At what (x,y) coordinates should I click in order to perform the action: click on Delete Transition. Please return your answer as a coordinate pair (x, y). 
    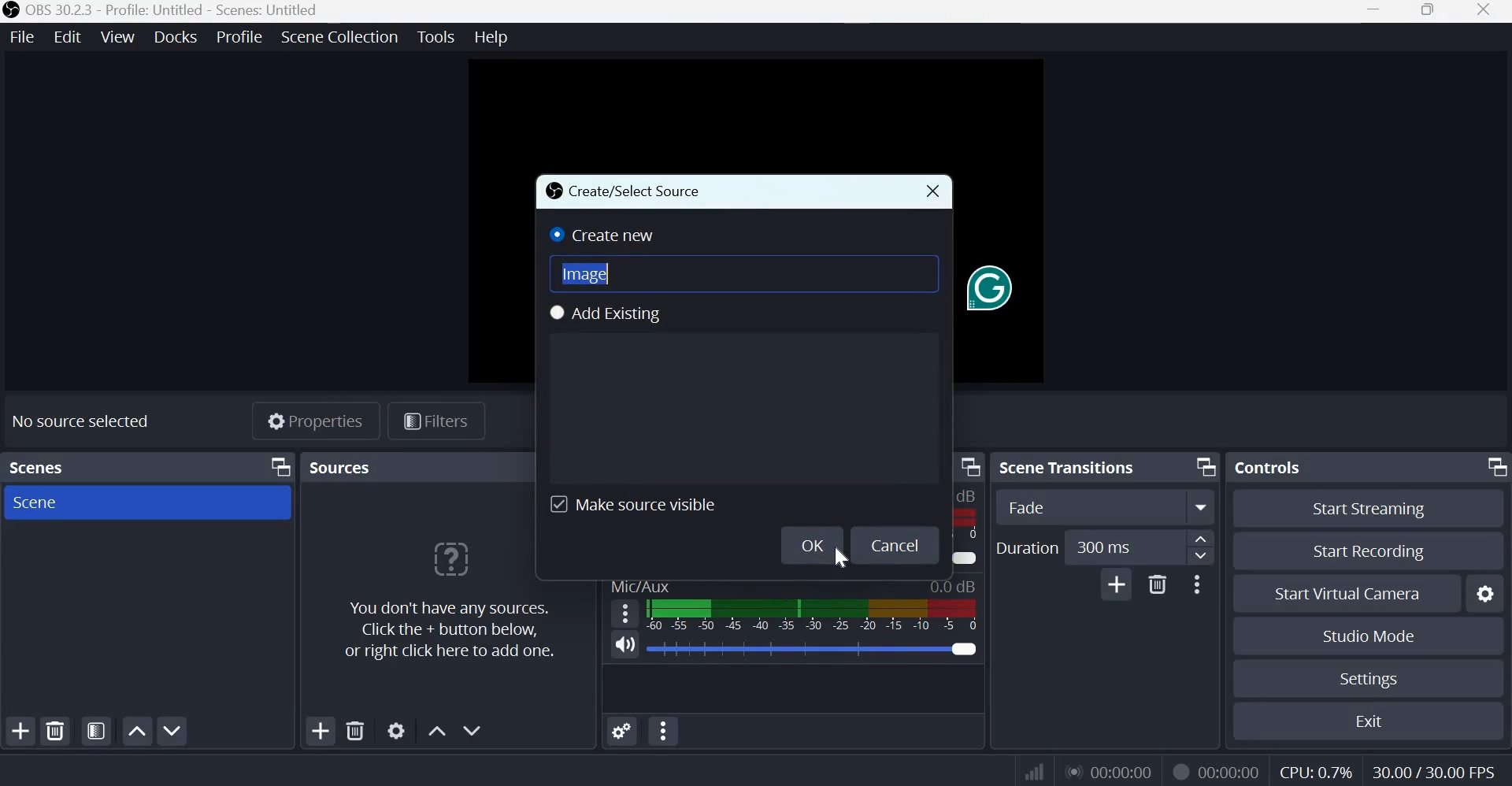
    Looking at the image, I should click on (1158, 584).